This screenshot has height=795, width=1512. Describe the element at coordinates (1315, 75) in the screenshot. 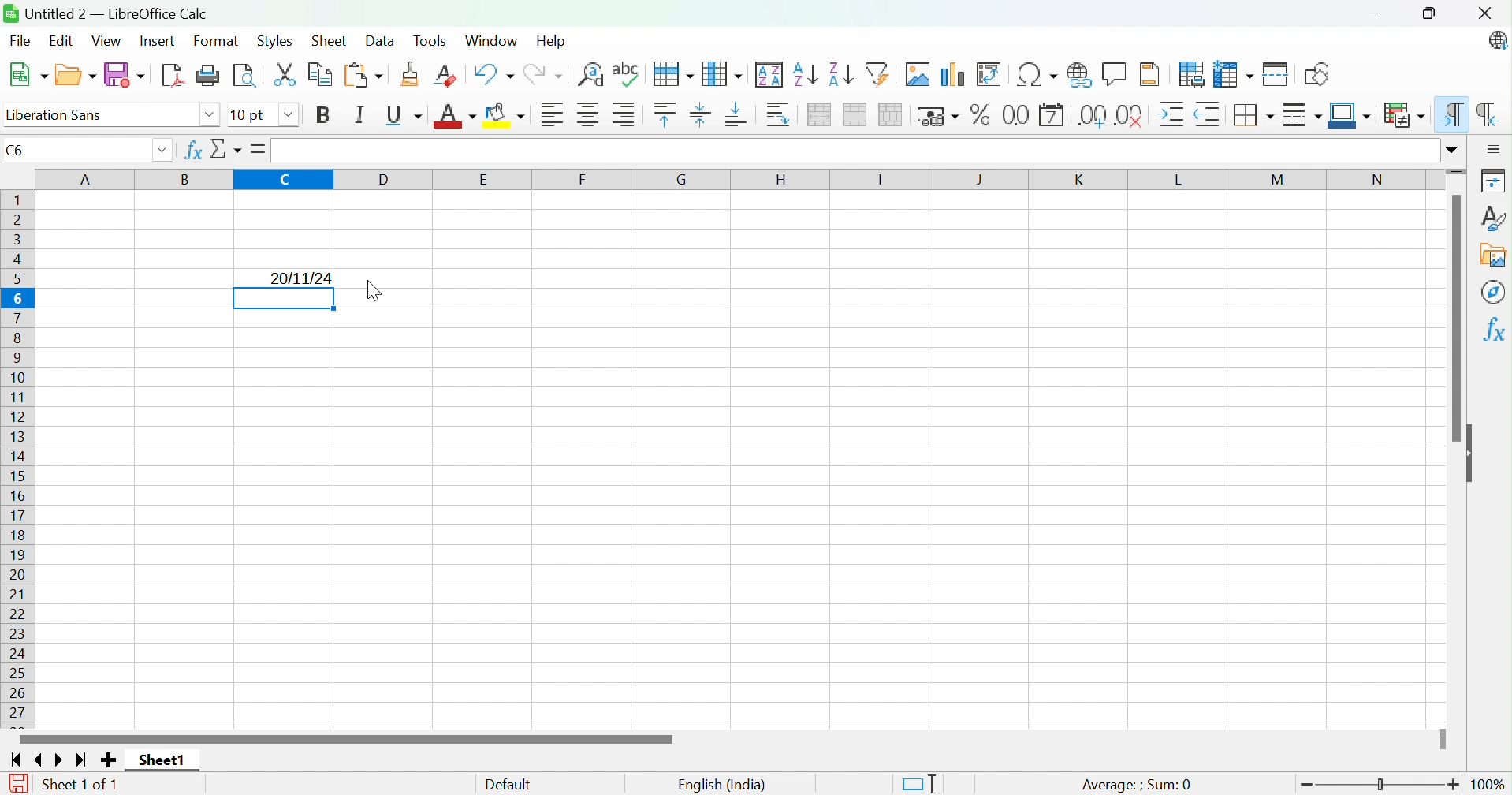

I see `Show draw functions` at that location.